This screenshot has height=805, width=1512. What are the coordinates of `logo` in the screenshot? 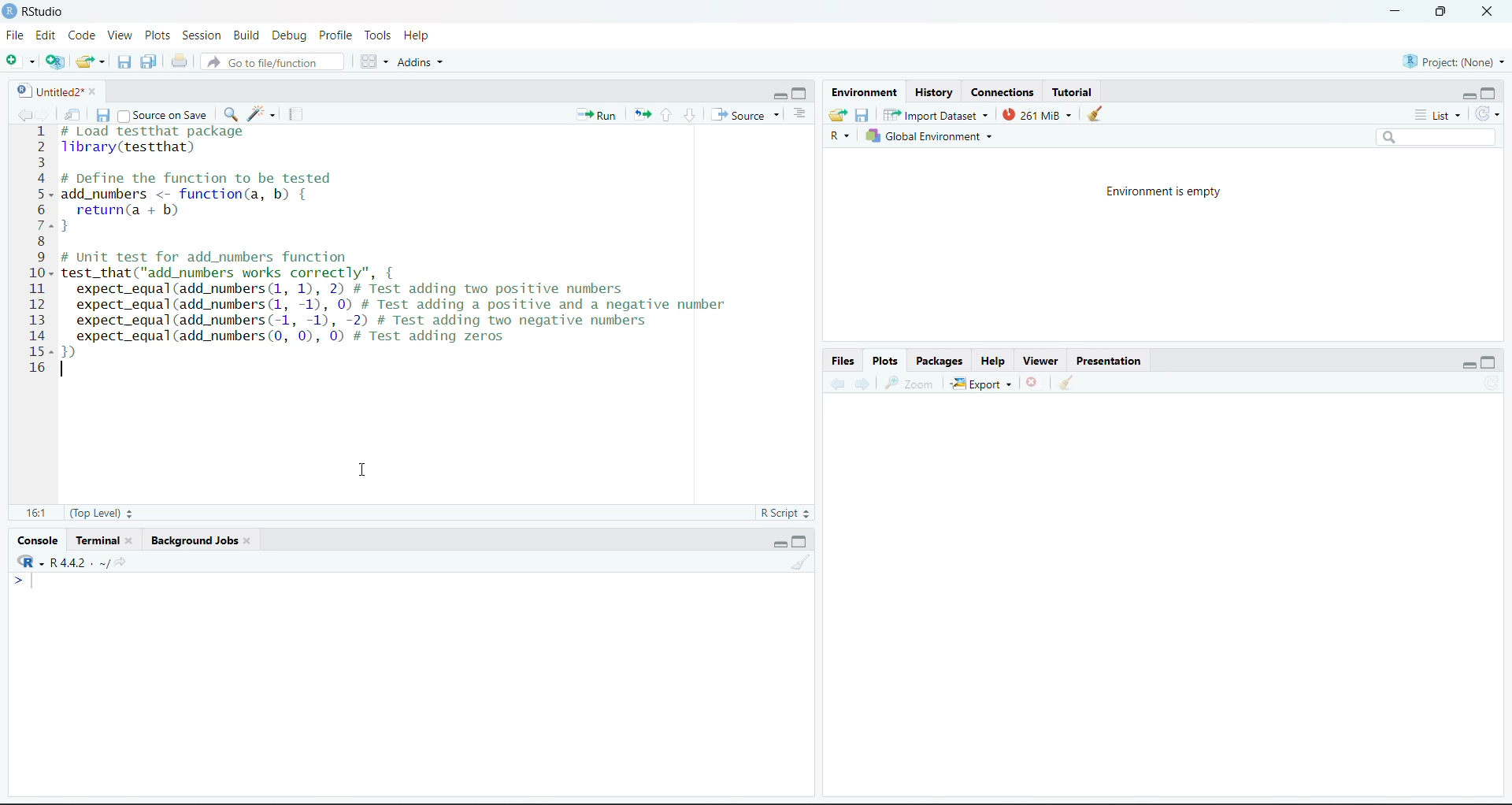 It's located at (9, 11).